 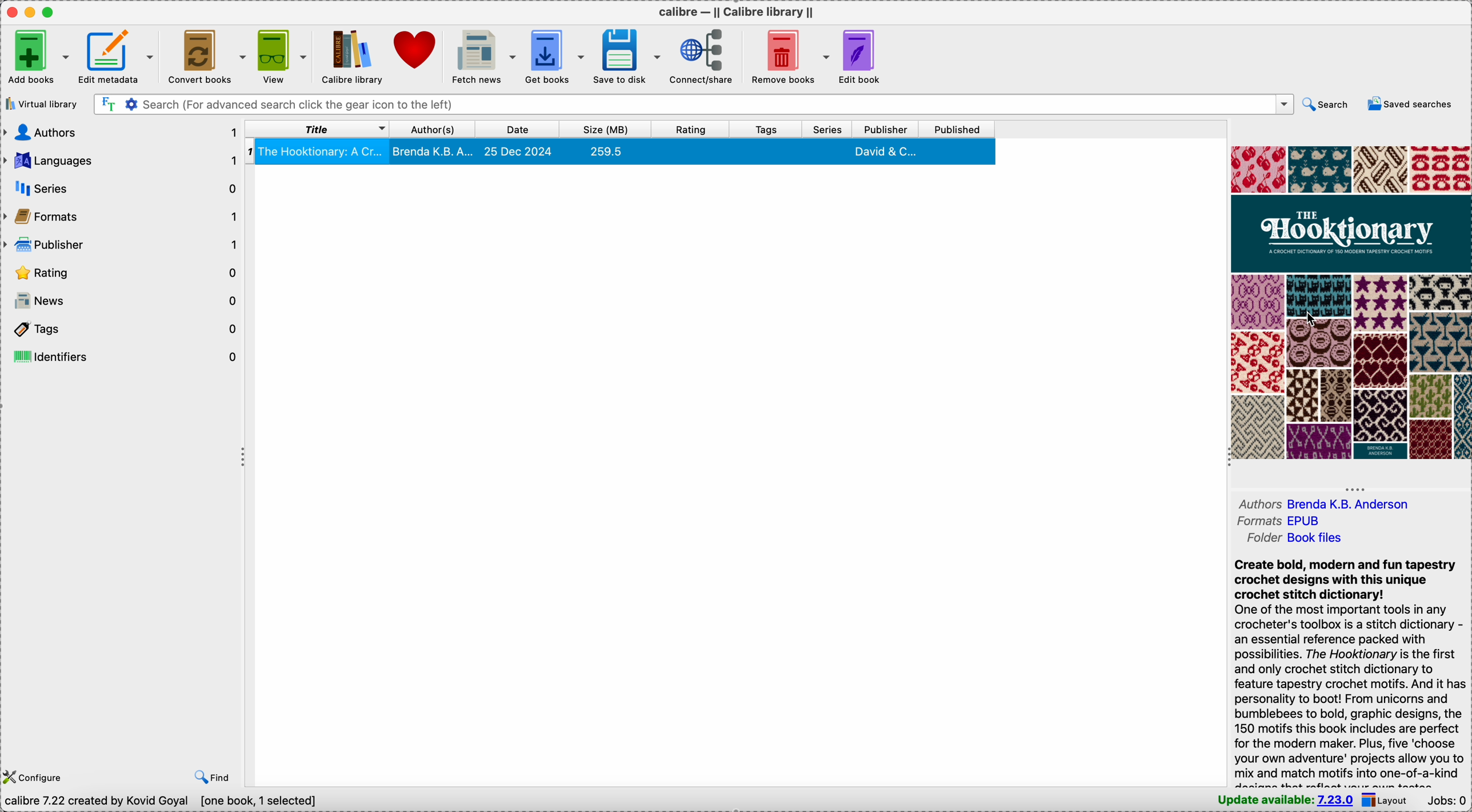 I want to click on cursor, so click(x=1303, y=318).